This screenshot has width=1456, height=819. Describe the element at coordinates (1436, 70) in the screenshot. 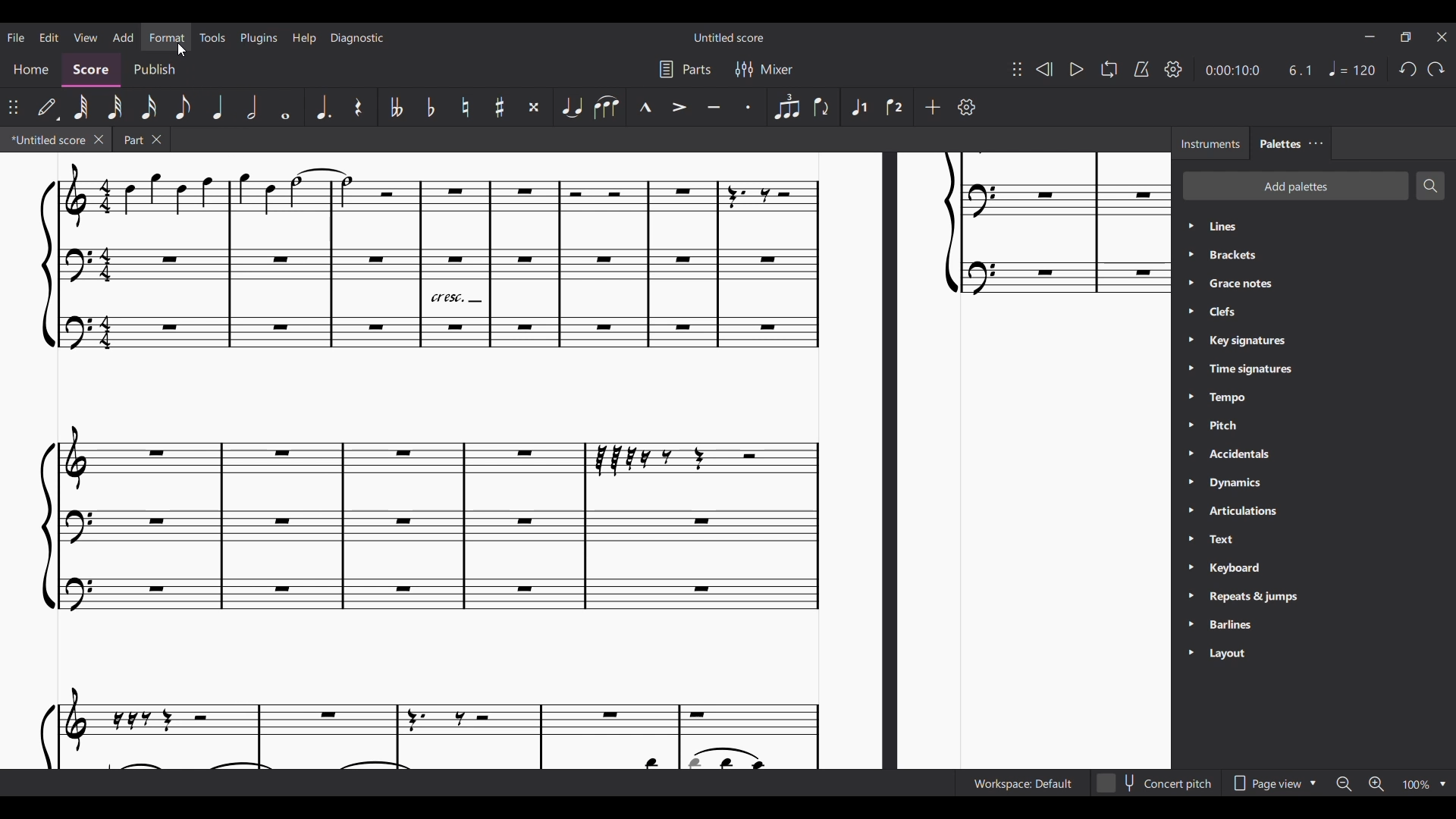

I see `Redo` at that location.